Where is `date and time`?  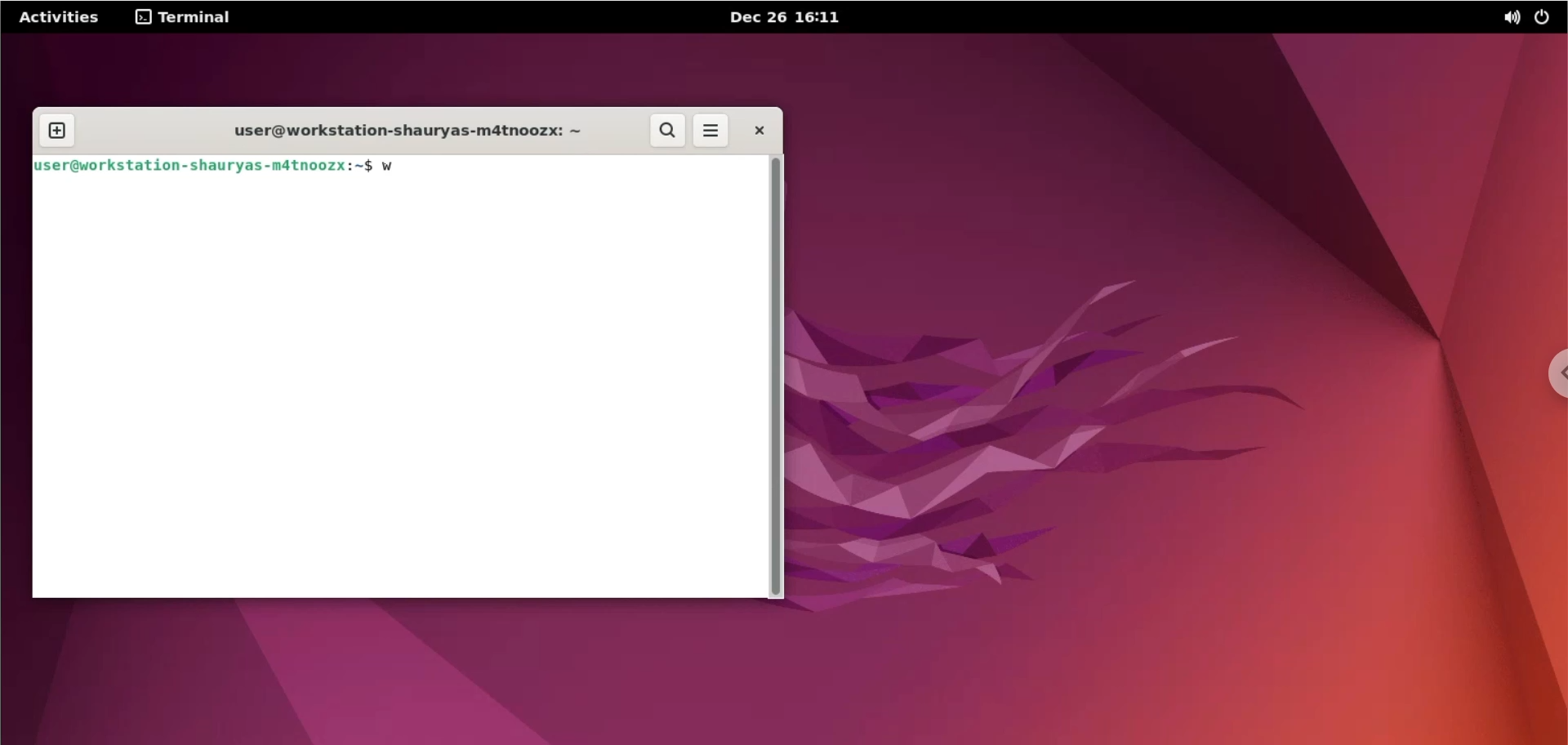 date and time is located at coordinates (786, 16).